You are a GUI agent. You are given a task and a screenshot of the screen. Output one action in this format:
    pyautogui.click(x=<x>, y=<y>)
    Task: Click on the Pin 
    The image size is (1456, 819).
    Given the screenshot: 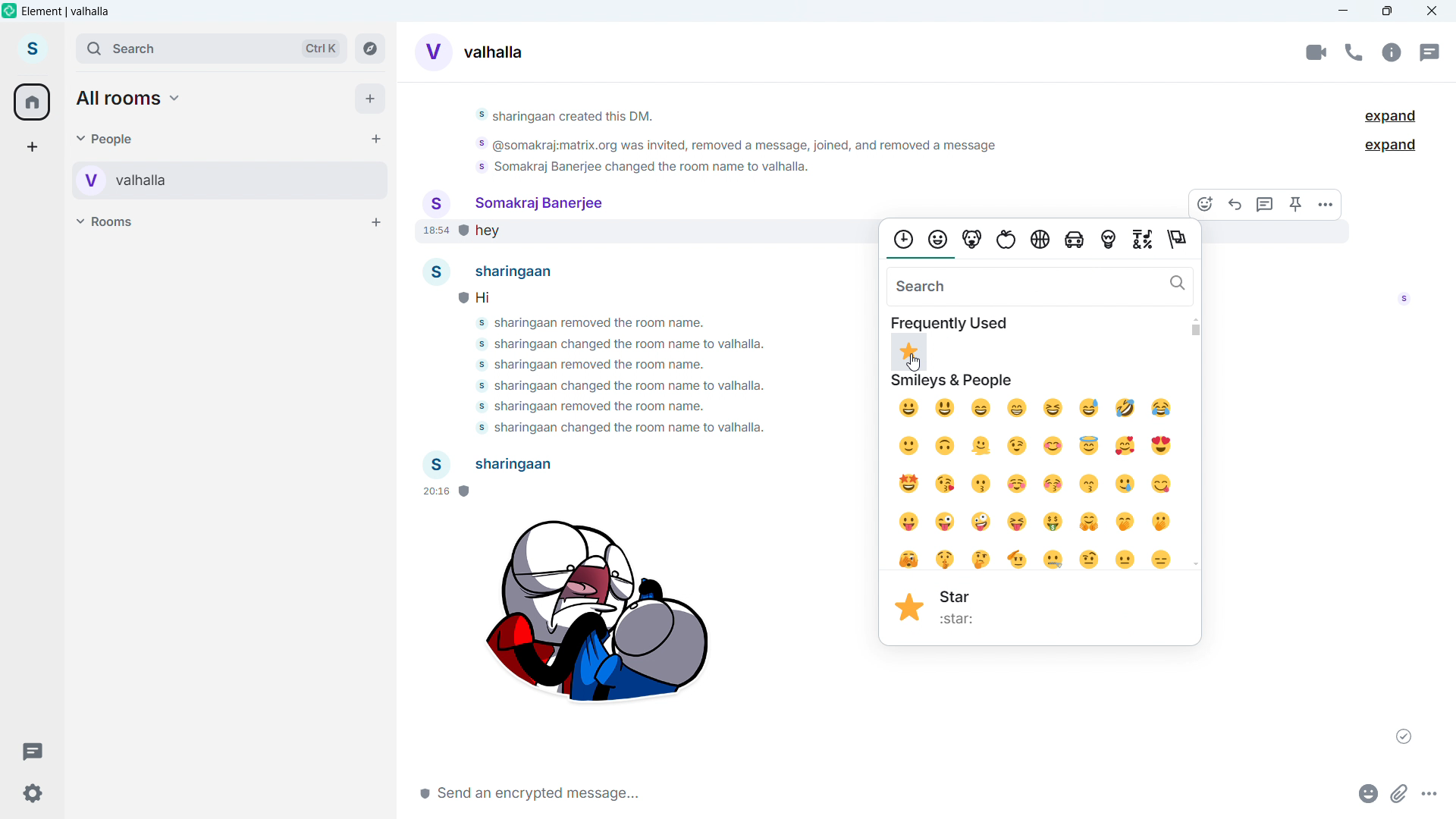 What is the action you would take?
    pyautogui.click(x=1296, y=204)
    